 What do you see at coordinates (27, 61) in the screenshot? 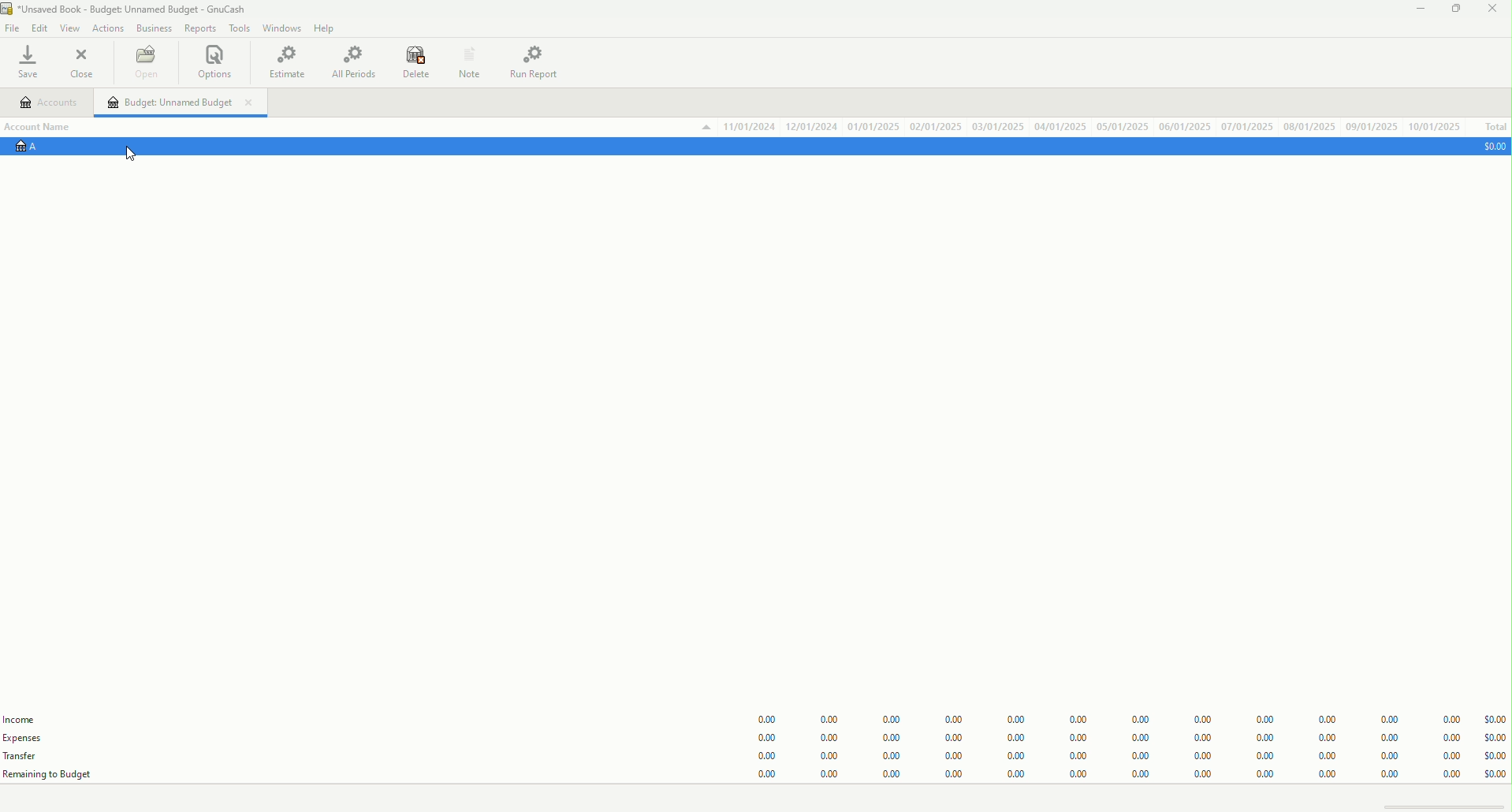
I see `Save` at bounding box center [27, 61].